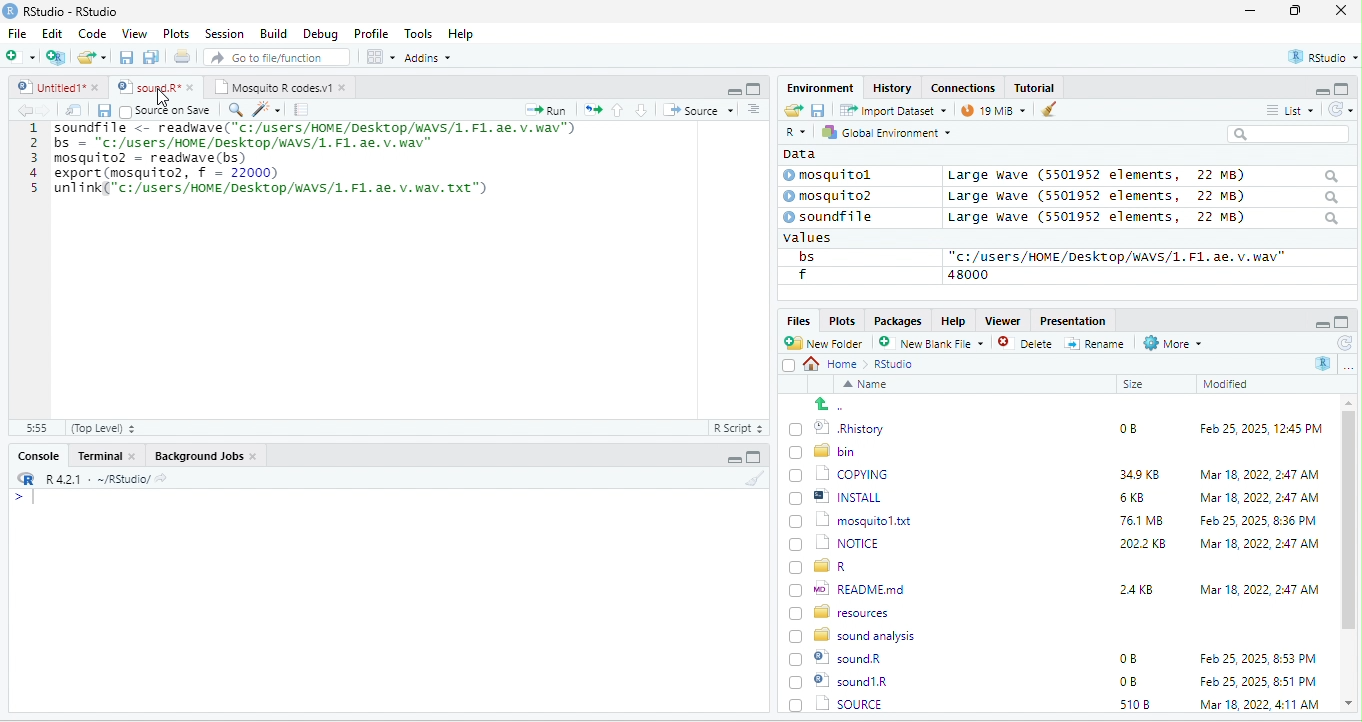  Describe the element at coordinates (849, 703) in the screenshot. I see `Uninstall.exe` at that location.